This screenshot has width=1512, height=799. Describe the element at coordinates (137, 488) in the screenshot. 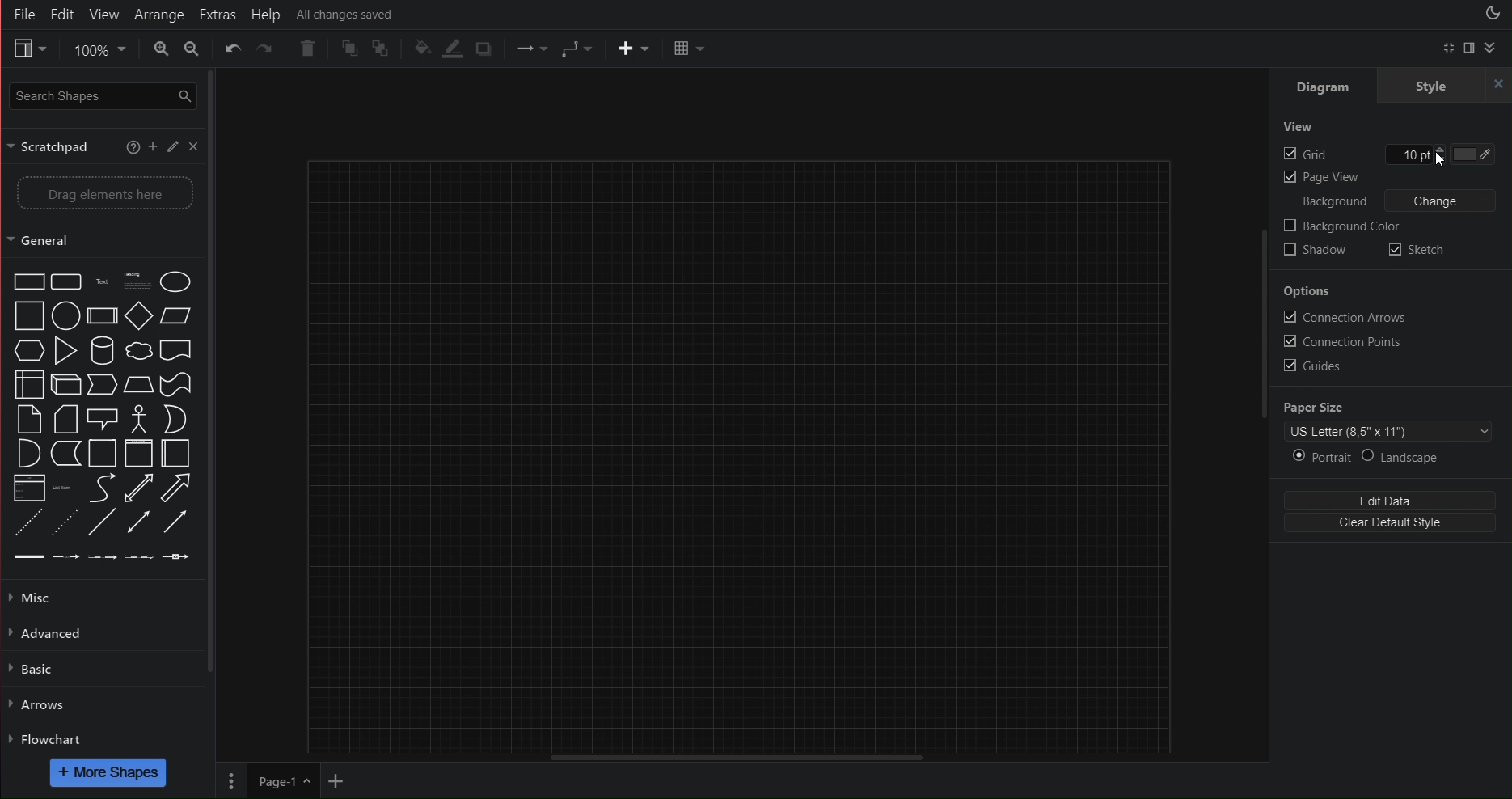

I see `both side arrows` at that location.